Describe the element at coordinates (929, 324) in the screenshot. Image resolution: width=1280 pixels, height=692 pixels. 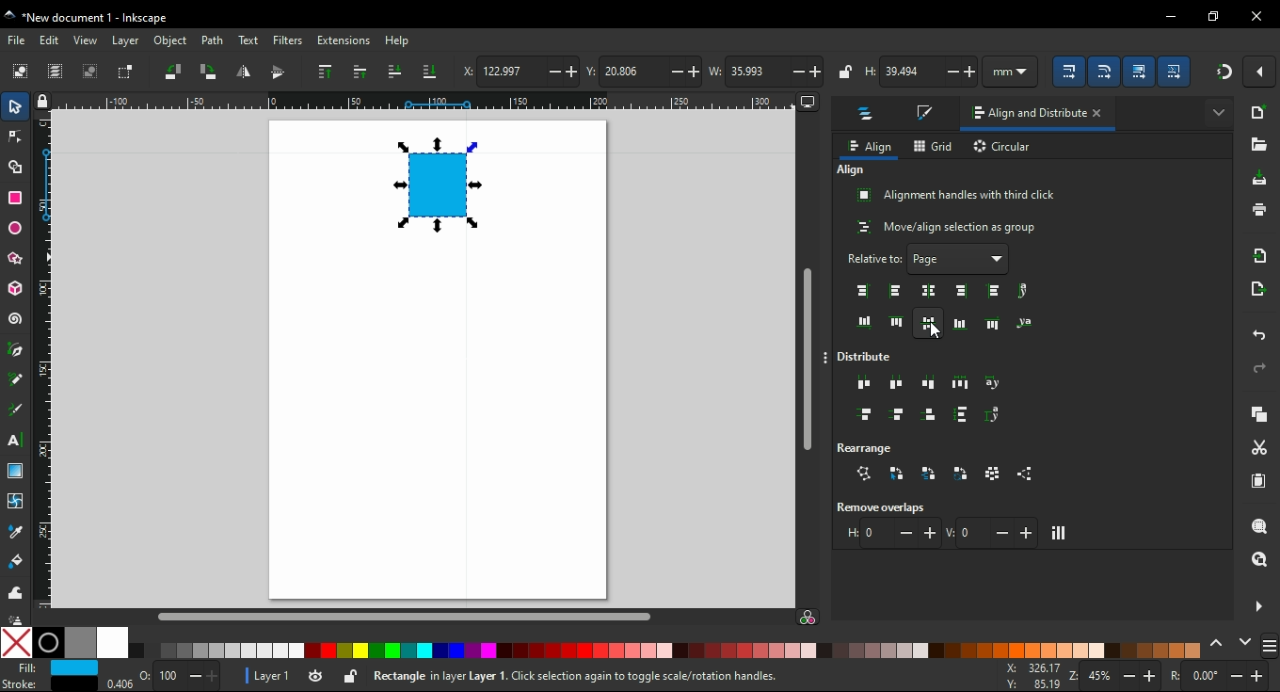
I see `align bottom edges` at that location.